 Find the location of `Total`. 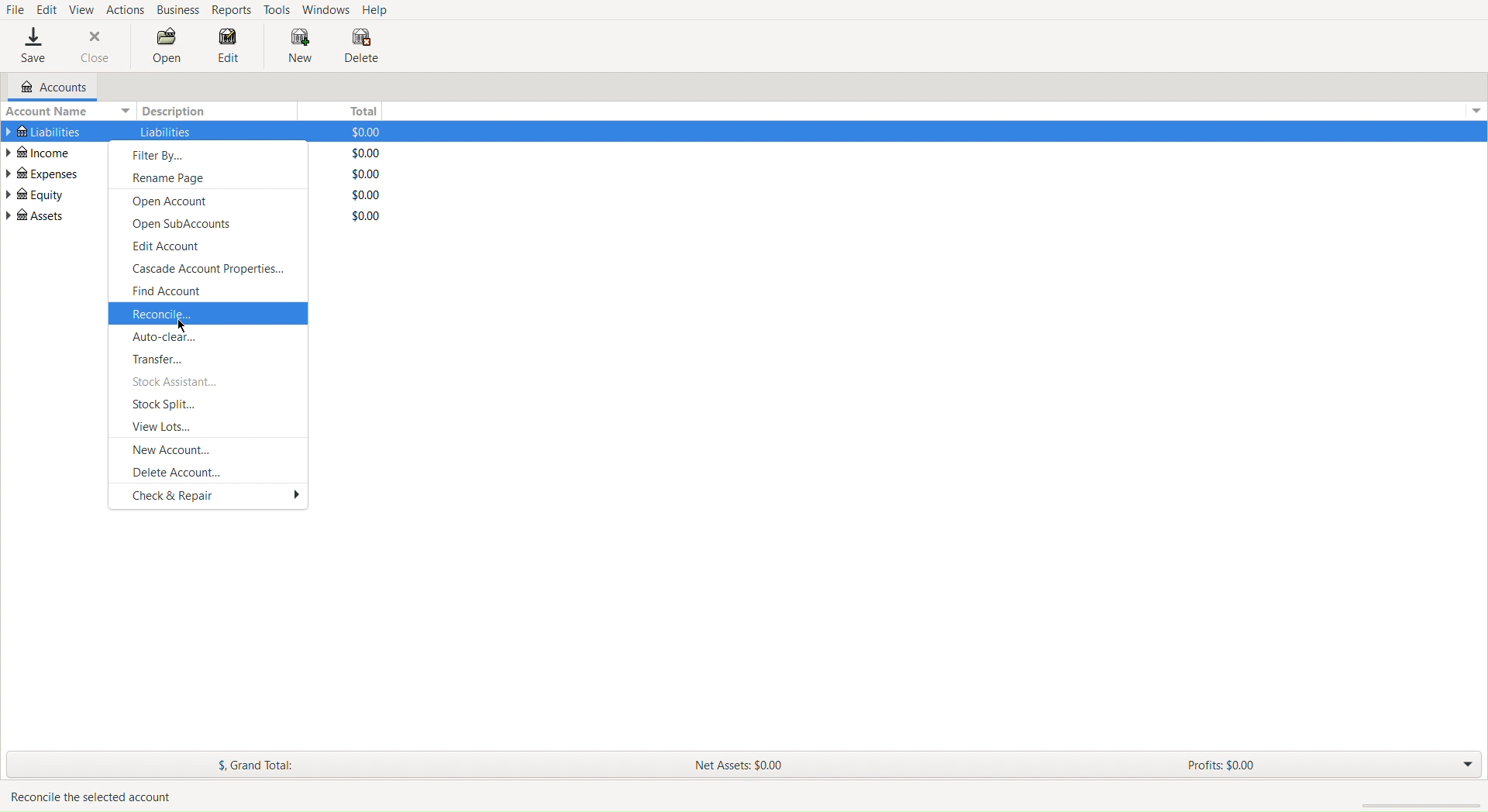

Total is located at coordinates (371, 217).